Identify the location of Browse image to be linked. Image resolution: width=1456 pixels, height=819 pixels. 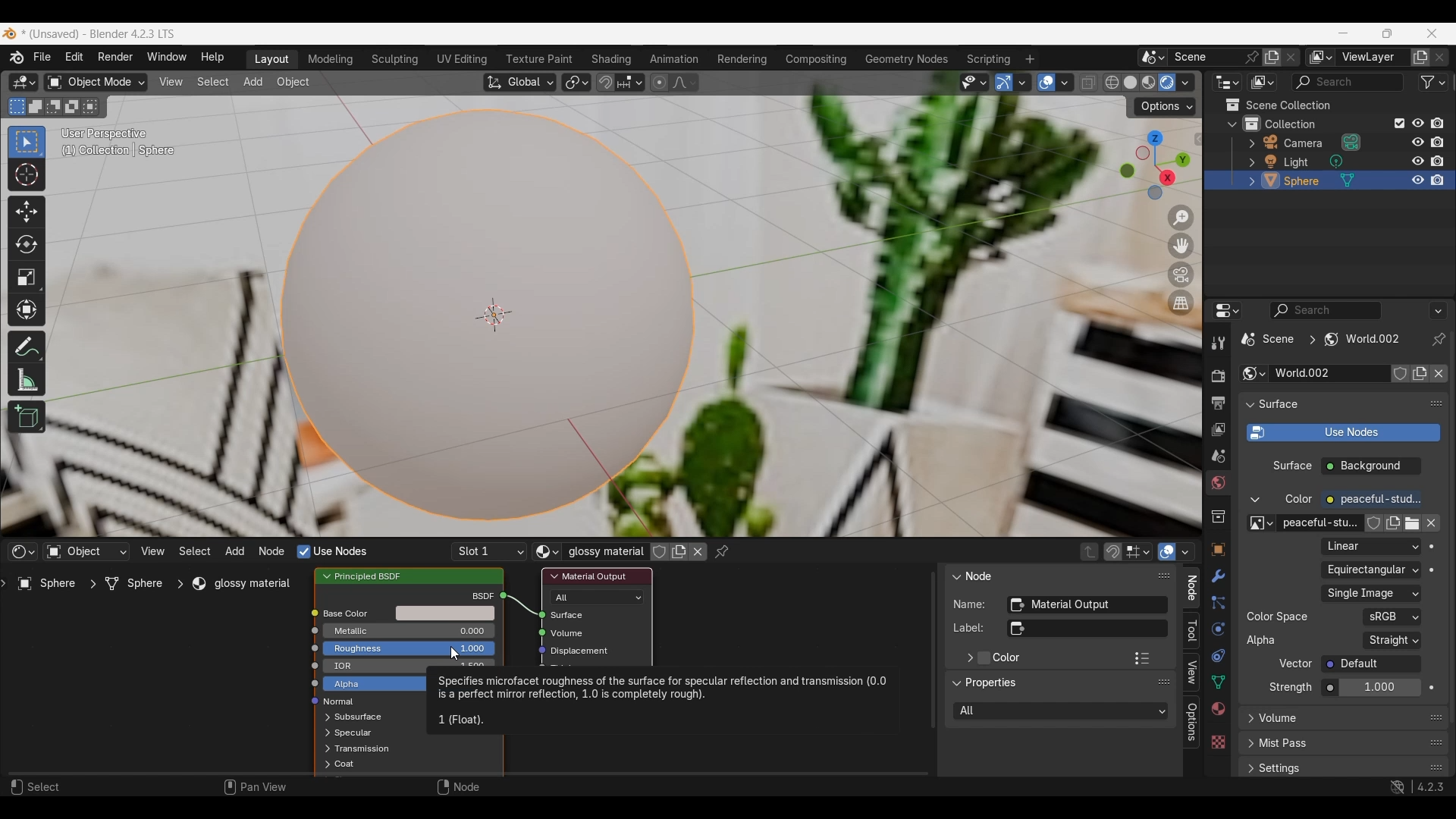
(1262, 523).